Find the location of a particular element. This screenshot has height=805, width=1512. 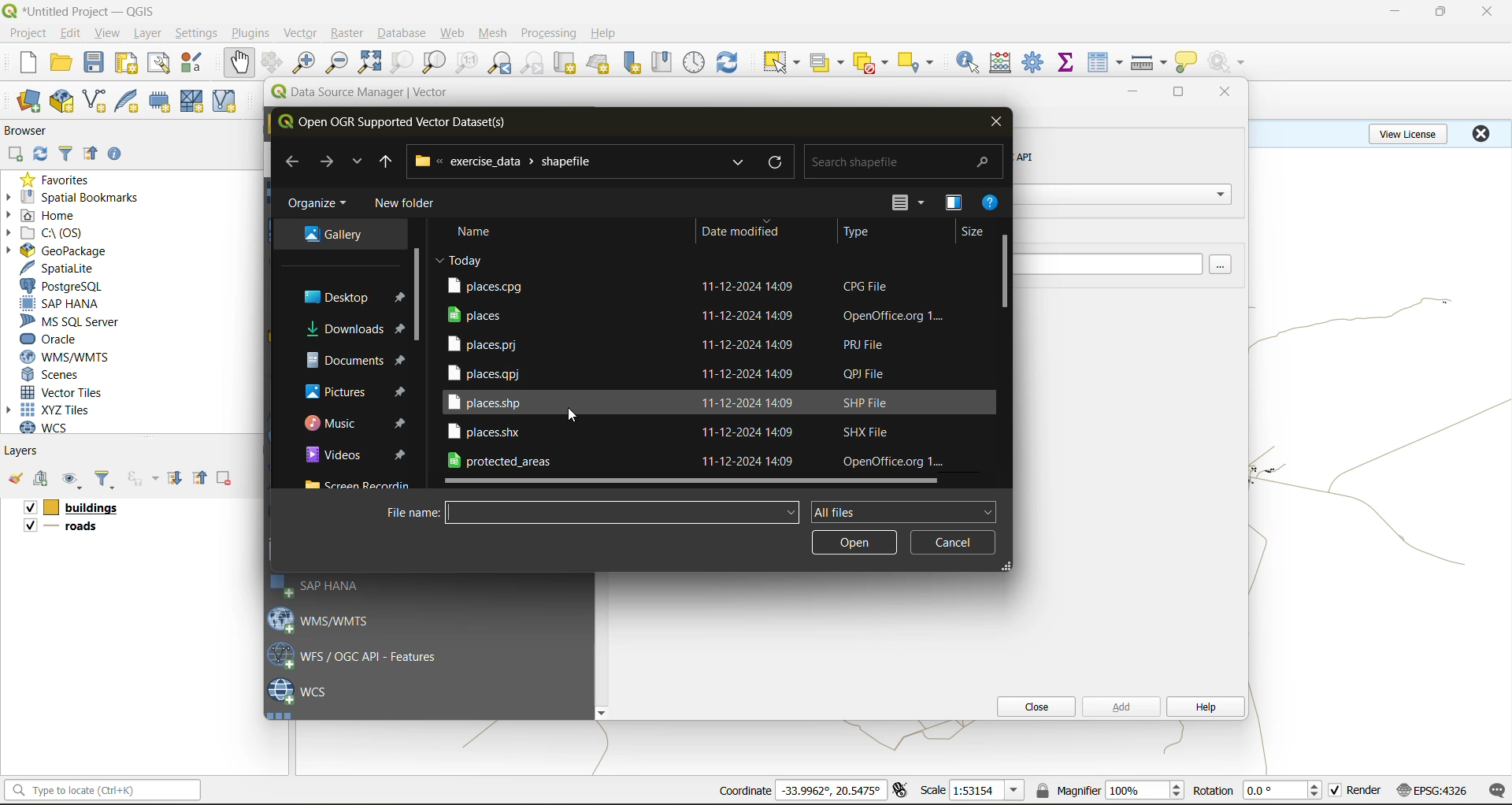

favorites is located at coordinates (61, 179).